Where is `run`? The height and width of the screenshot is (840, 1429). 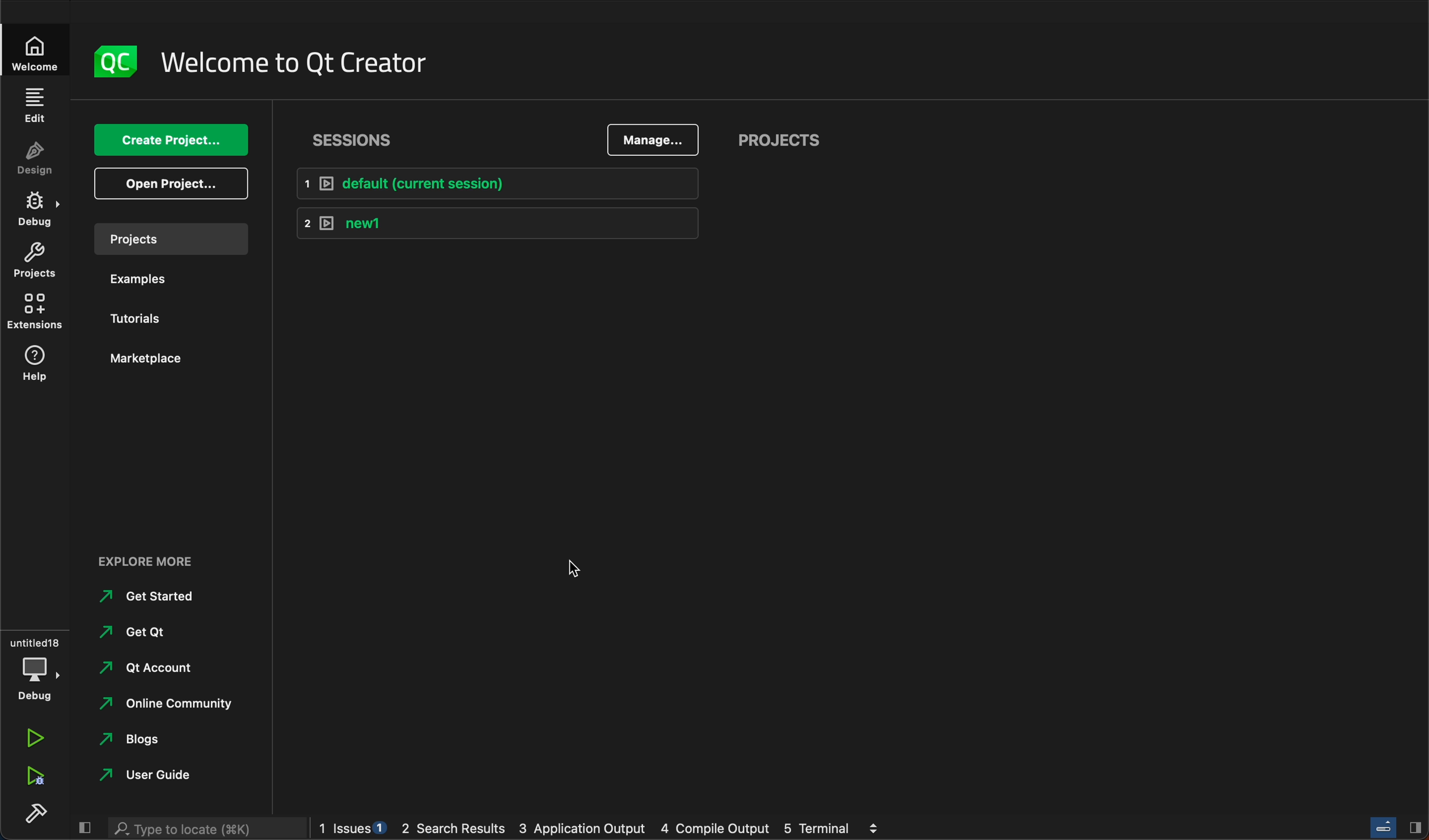
run is located at coordinates (33, 737).